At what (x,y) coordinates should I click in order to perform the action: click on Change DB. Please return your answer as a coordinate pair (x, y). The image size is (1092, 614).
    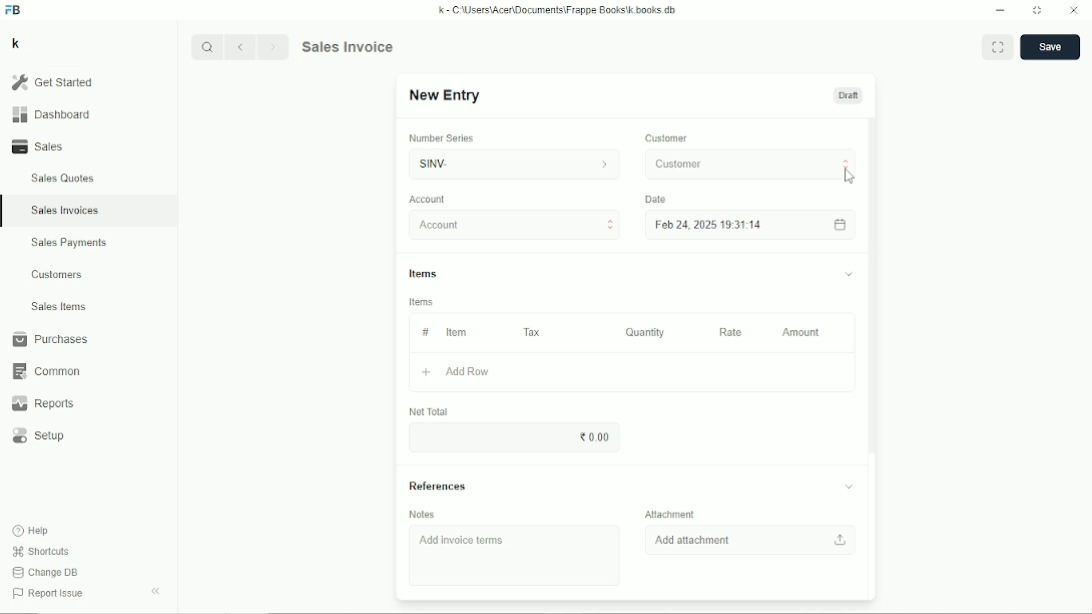
    Looking at the image, I should click on (45, 573).